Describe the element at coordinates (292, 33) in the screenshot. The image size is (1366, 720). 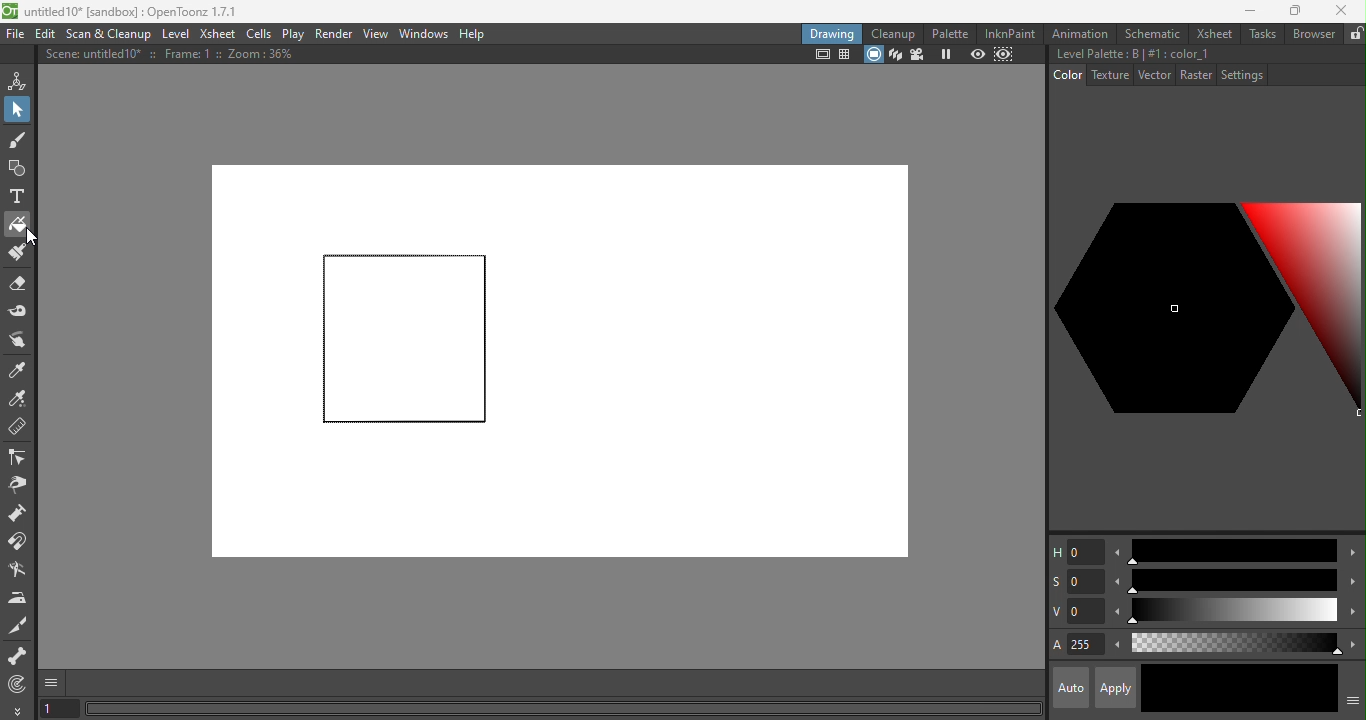
I see `Play` at that location.